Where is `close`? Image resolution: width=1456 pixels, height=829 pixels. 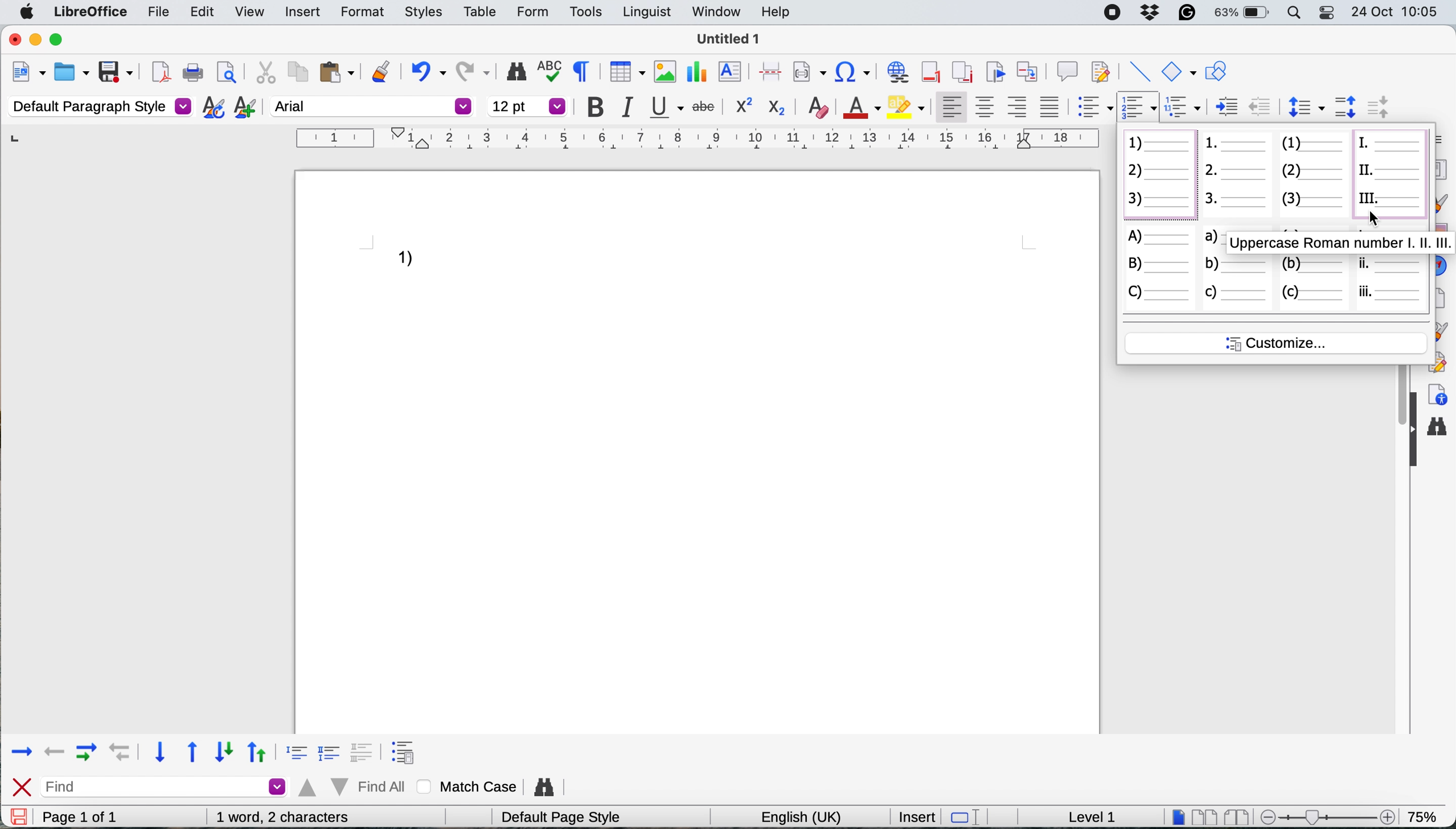 close is located at coordinates (22, 787).